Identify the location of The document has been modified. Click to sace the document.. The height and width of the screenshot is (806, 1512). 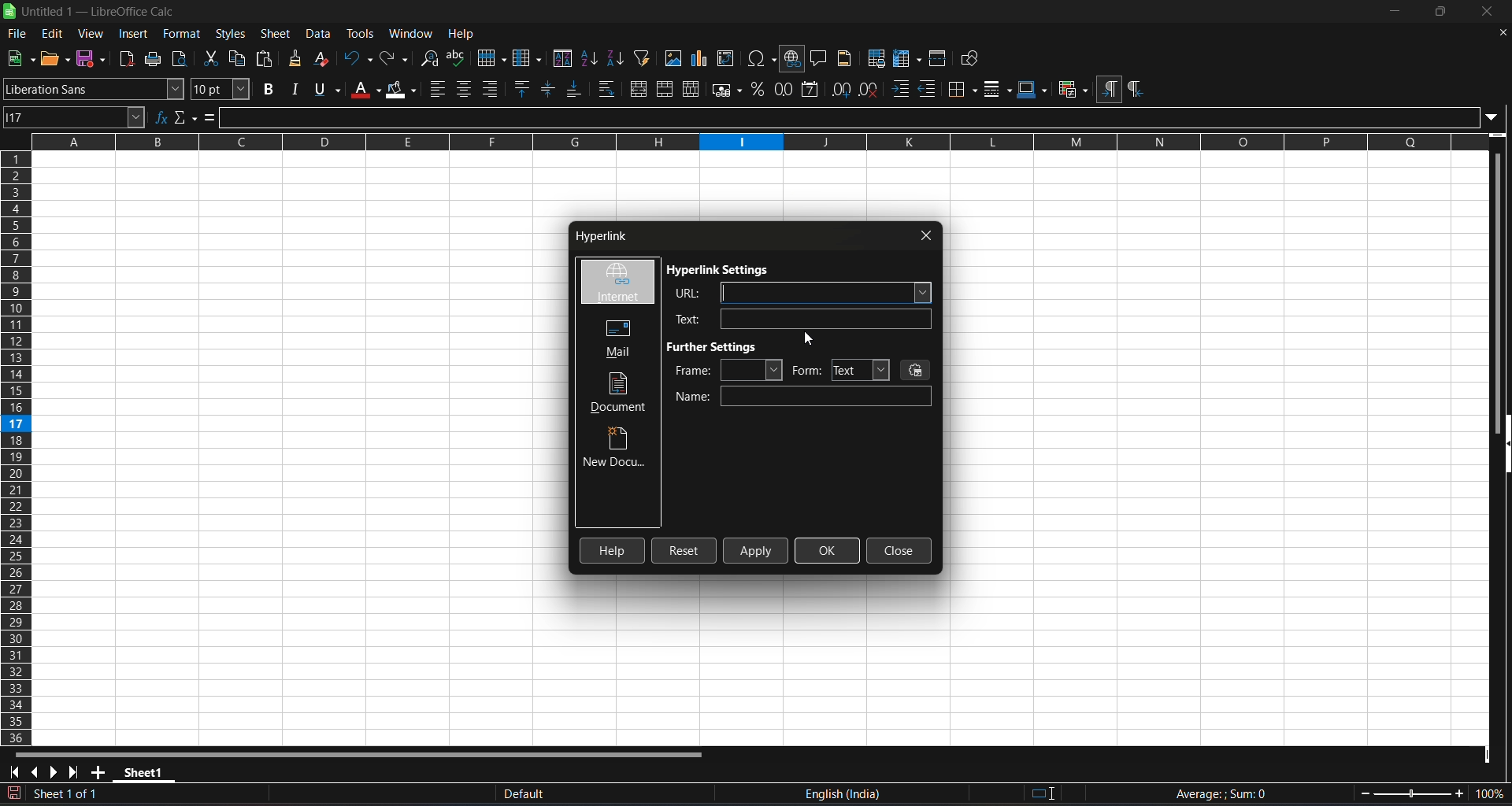
(250, 795).